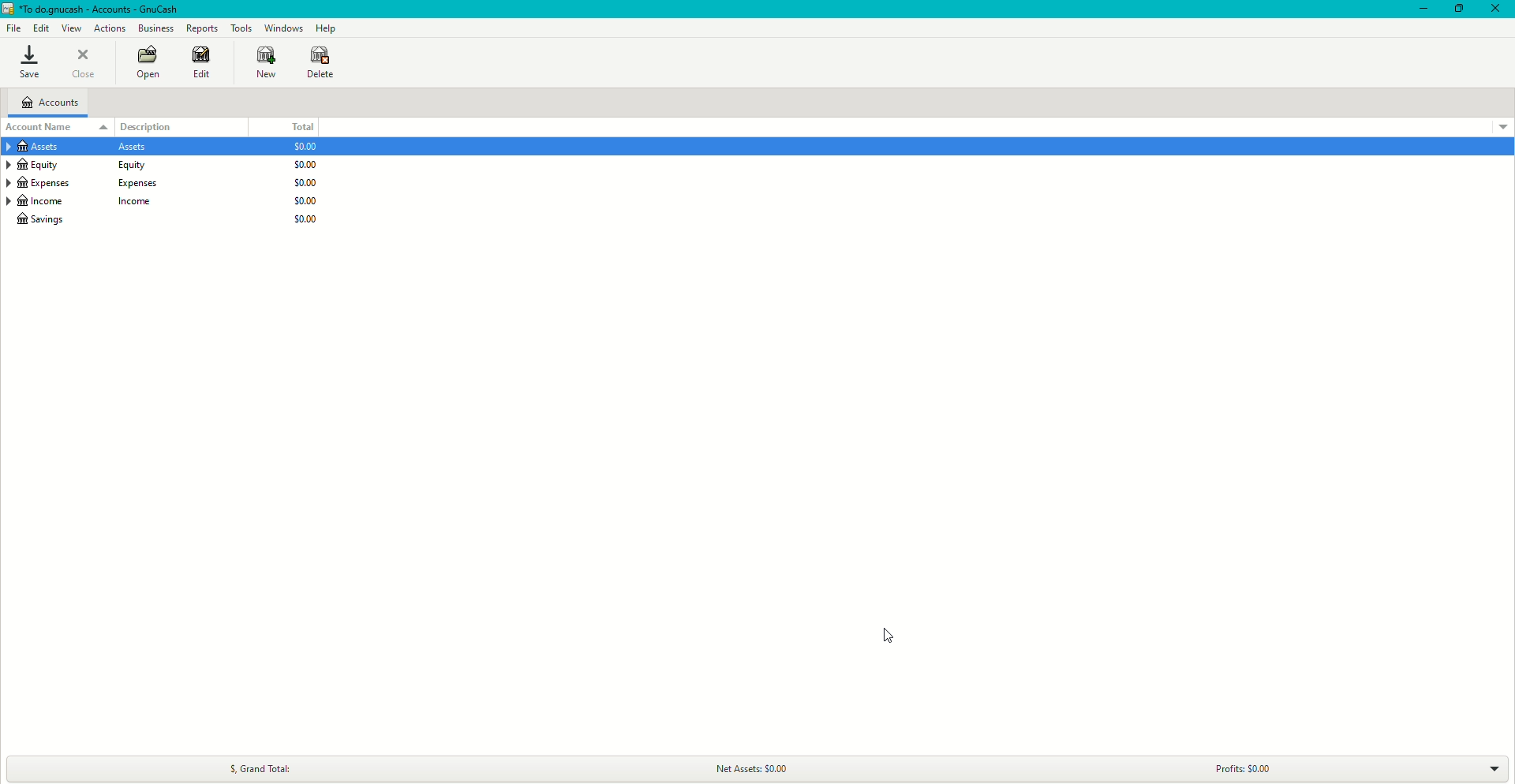  I want to click on Drop down, so click(1502, 125).